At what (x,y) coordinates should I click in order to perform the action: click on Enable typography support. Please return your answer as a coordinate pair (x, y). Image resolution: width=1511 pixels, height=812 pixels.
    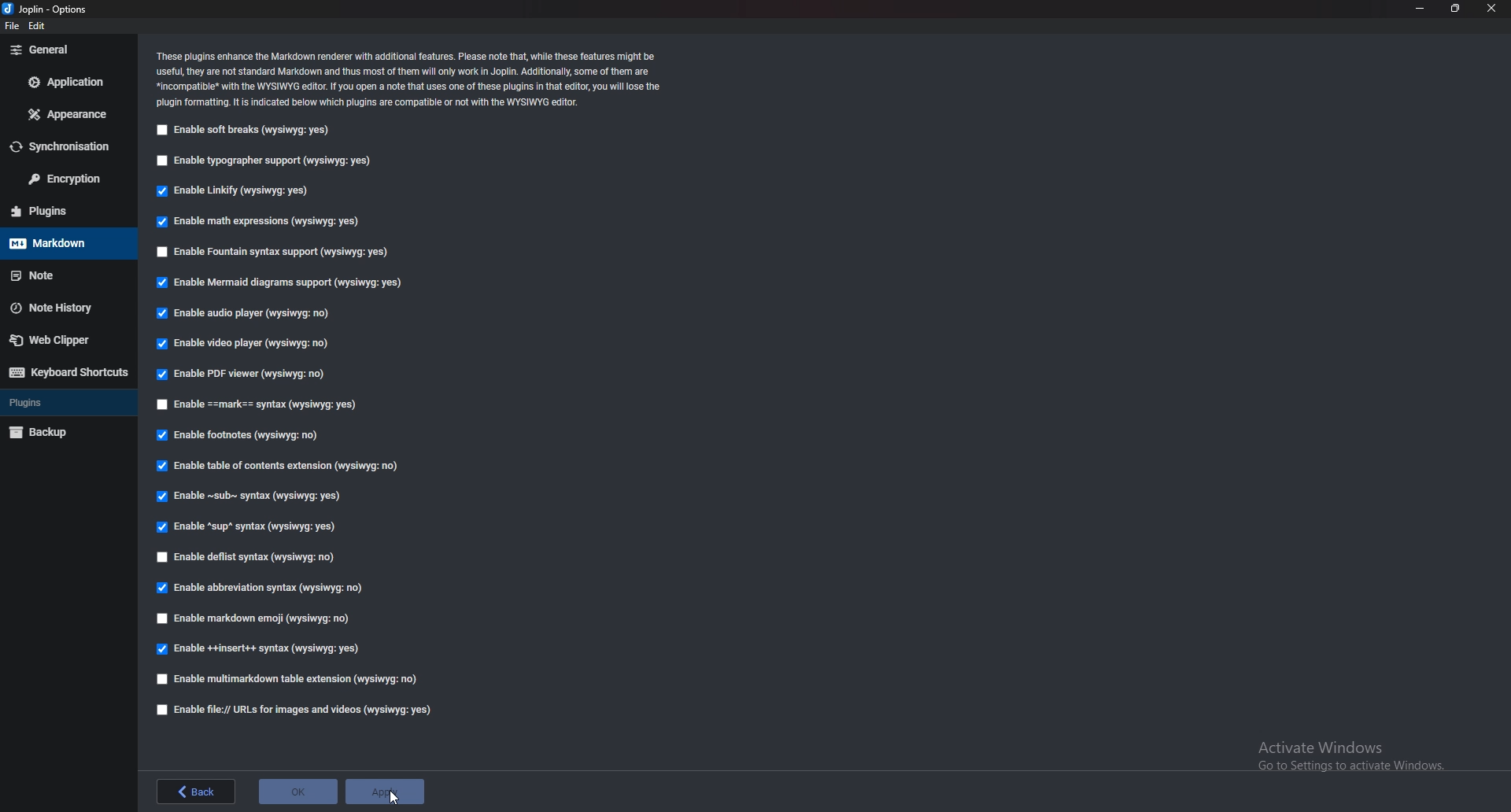
    Looking at the image, I should click on (268, 162).